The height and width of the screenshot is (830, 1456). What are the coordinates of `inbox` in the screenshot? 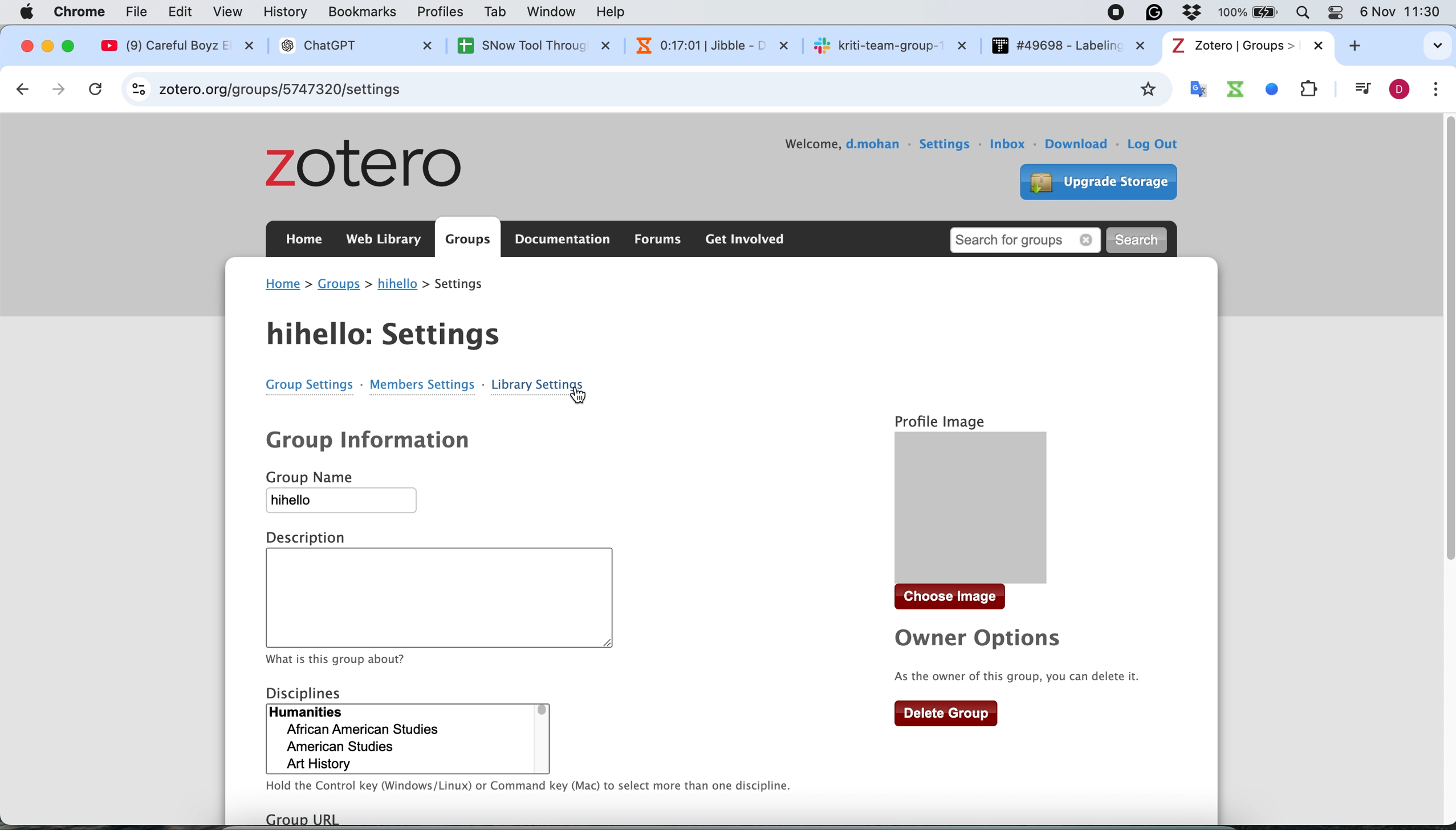 It's located at (1010, 144).